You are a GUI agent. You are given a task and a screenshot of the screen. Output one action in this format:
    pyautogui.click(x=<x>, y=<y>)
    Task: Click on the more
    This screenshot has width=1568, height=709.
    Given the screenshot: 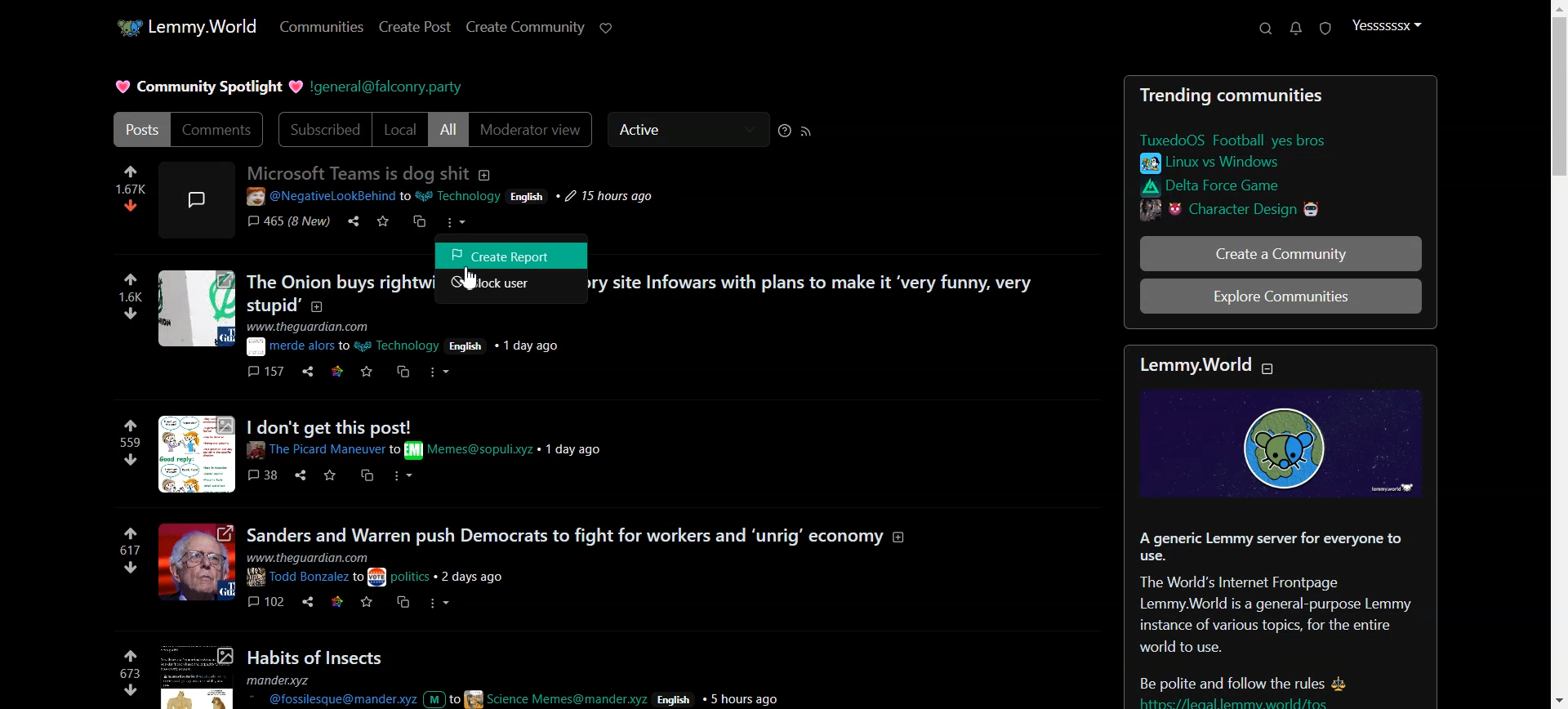 What is the action you would take?
    pyautogui.click(x=443, y=603)
    